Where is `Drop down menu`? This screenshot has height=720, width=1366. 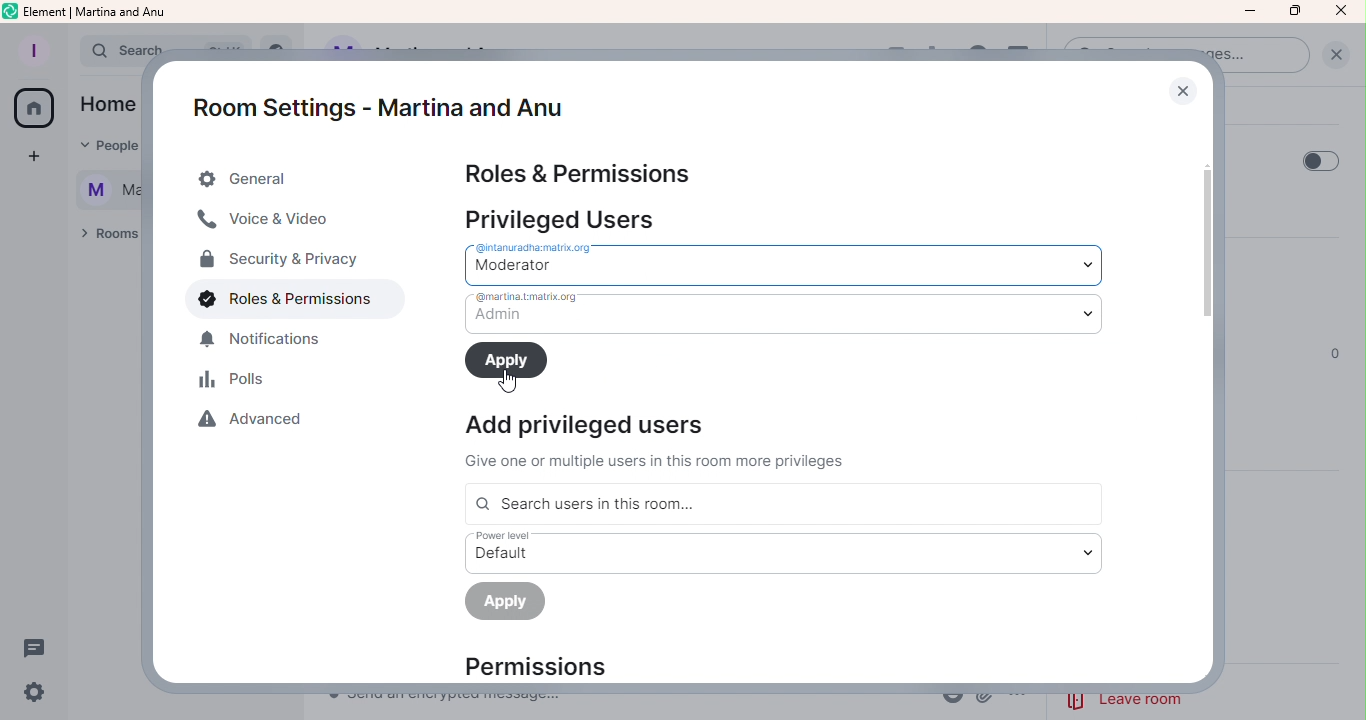 Drop down menu is located at coordinates (782, 313).